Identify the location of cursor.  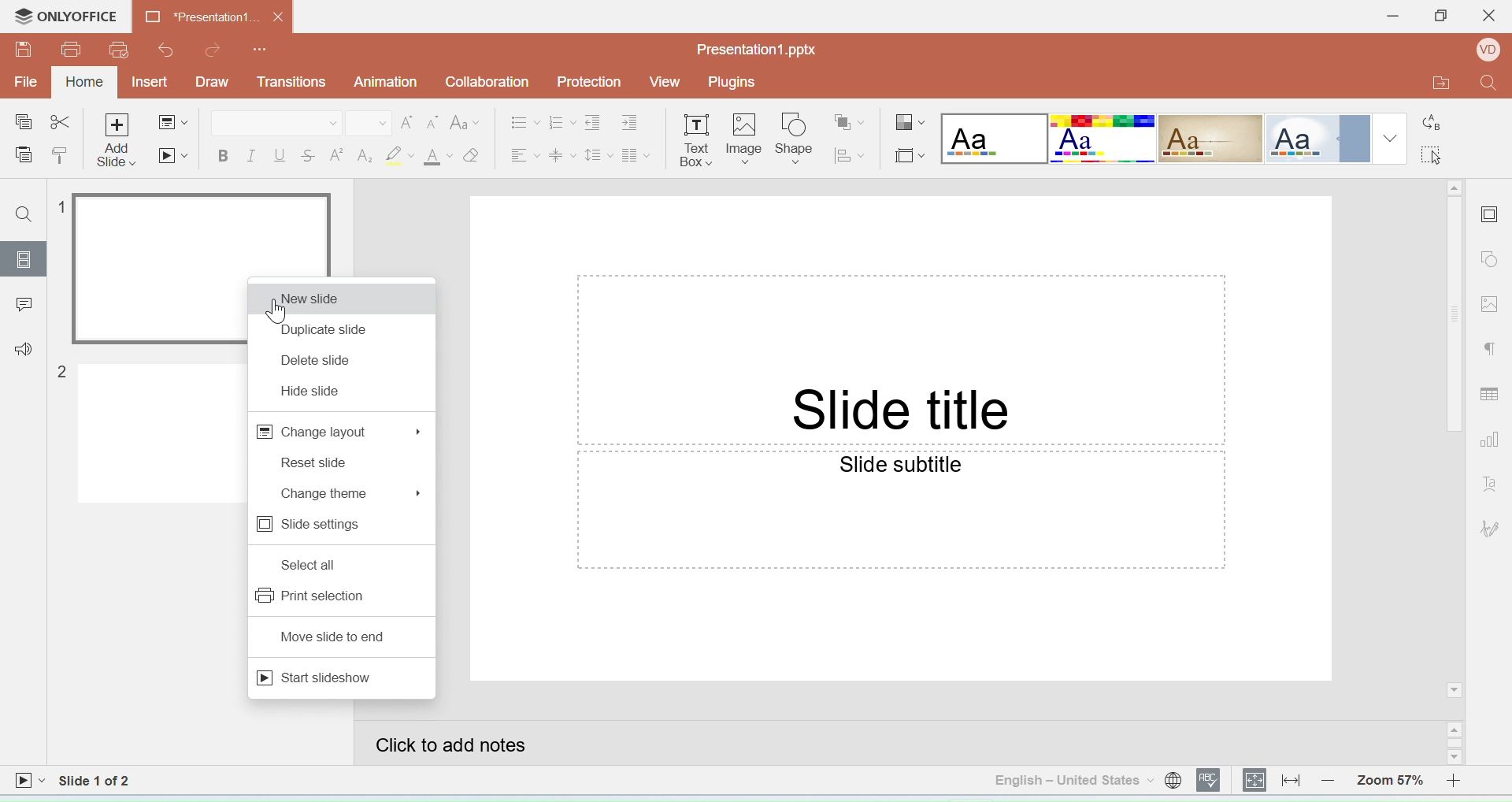
(271, 316).